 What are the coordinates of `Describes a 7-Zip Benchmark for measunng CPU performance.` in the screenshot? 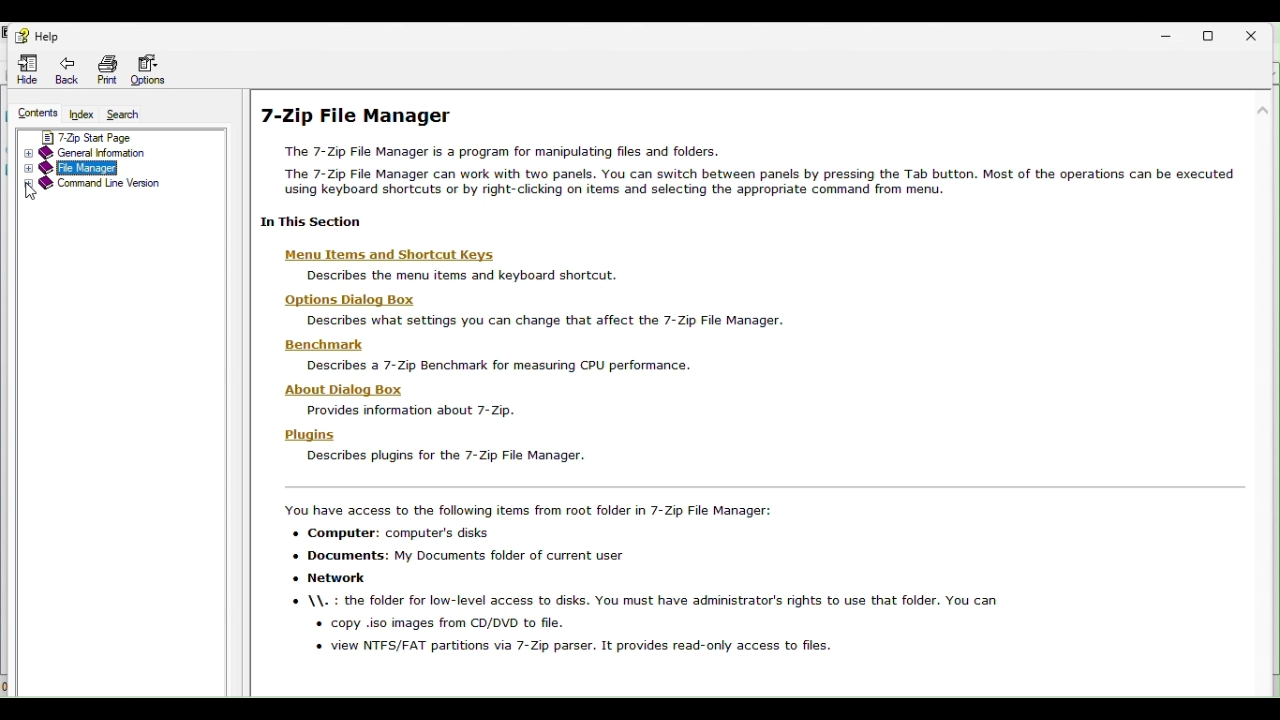 It's located at (496, 367).